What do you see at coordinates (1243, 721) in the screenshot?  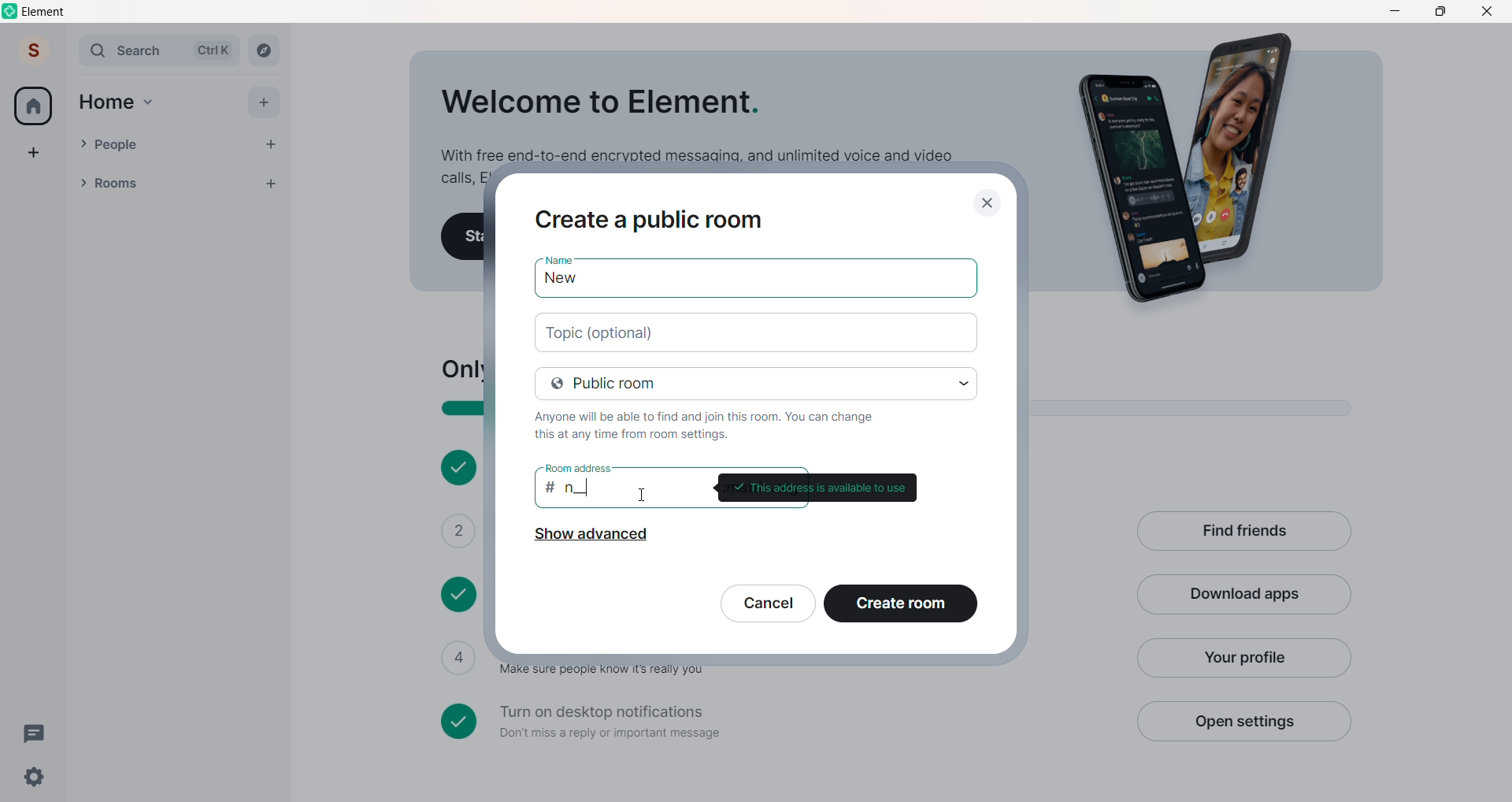 I see `Open Settings` at bounding box center [1243, 721].